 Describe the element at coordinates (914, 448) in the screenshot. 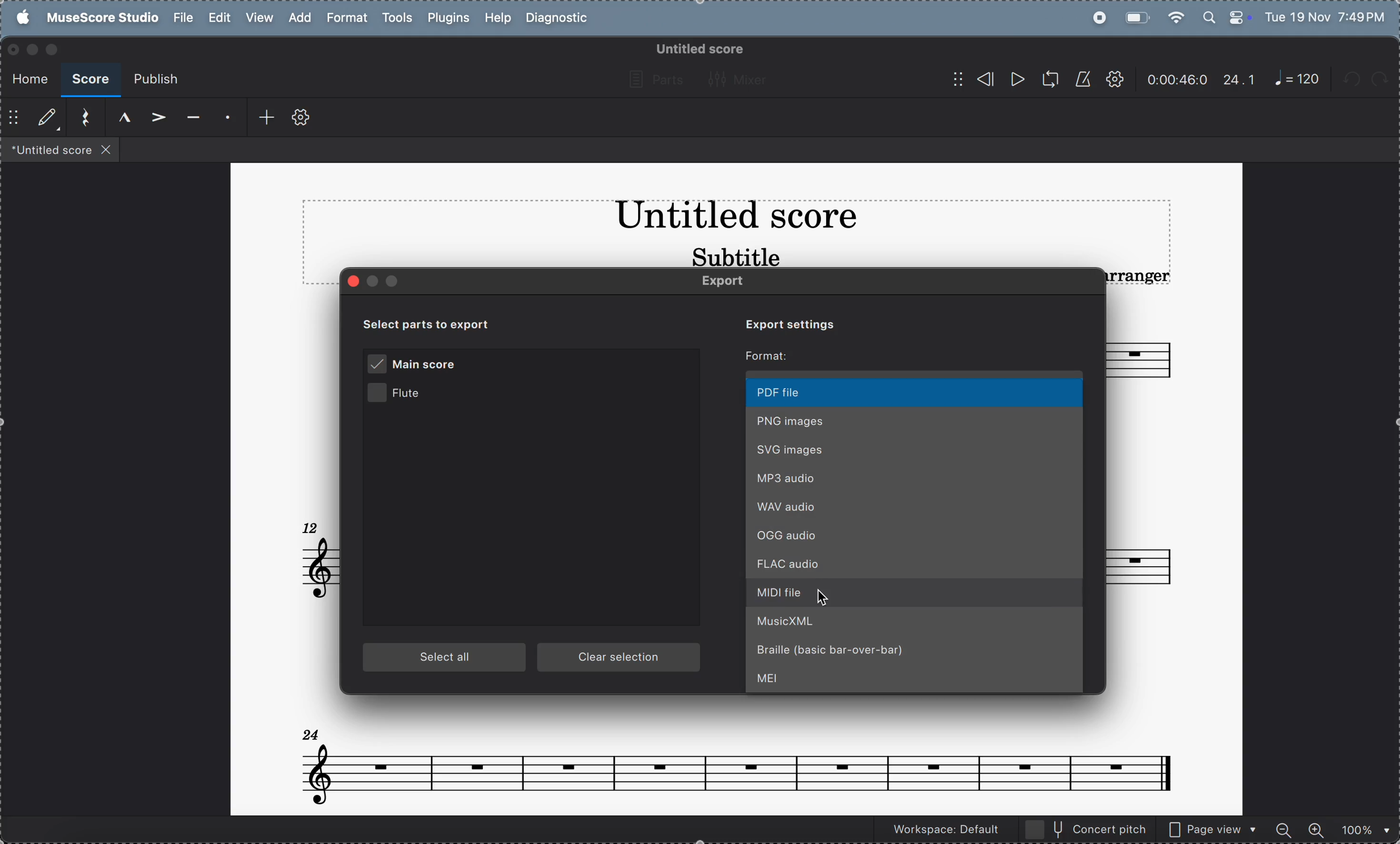

I see `SVG images` at that location.